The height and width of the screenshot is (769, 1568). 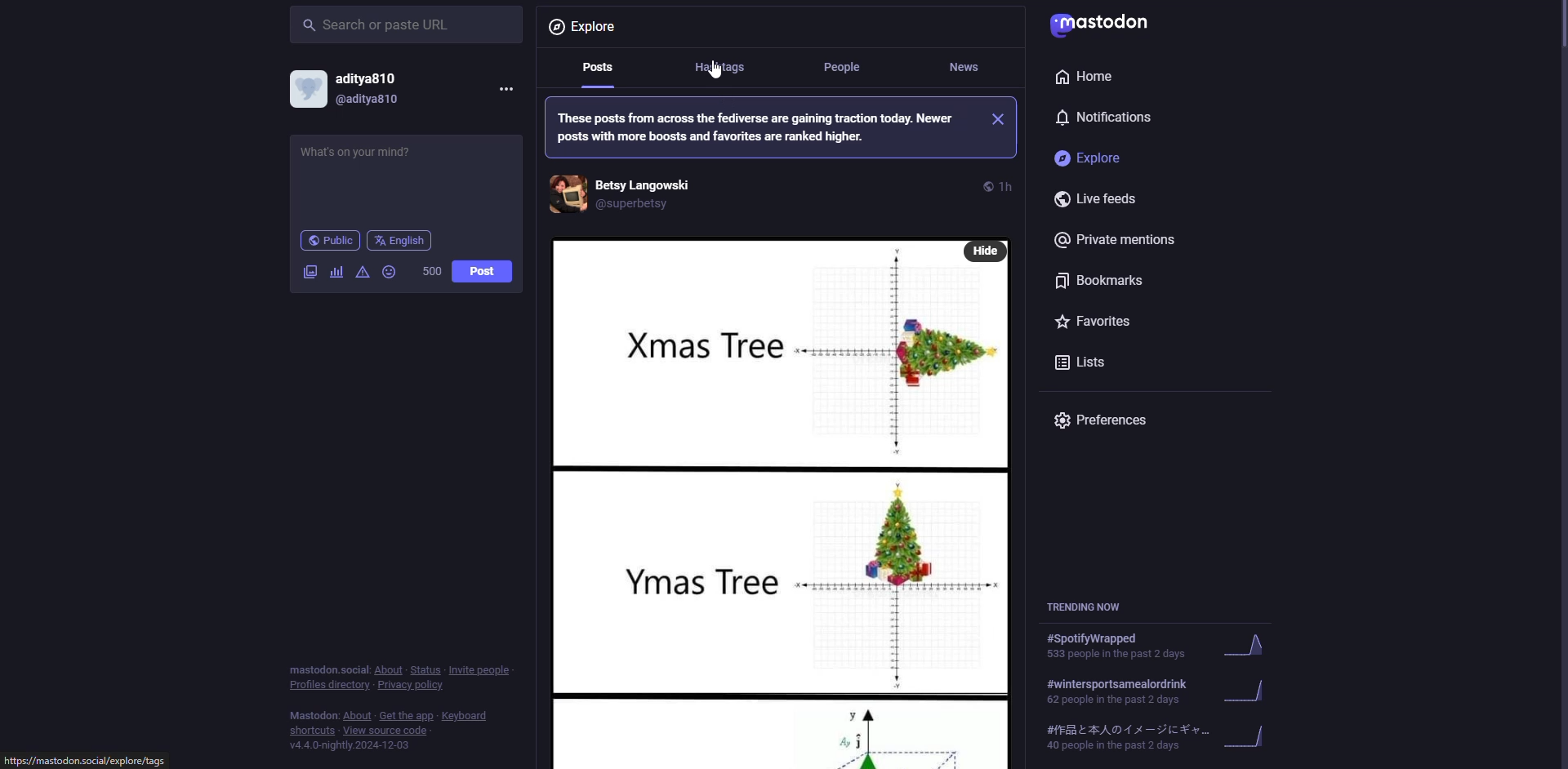 I want to click on website, so click(x=83, y=758).